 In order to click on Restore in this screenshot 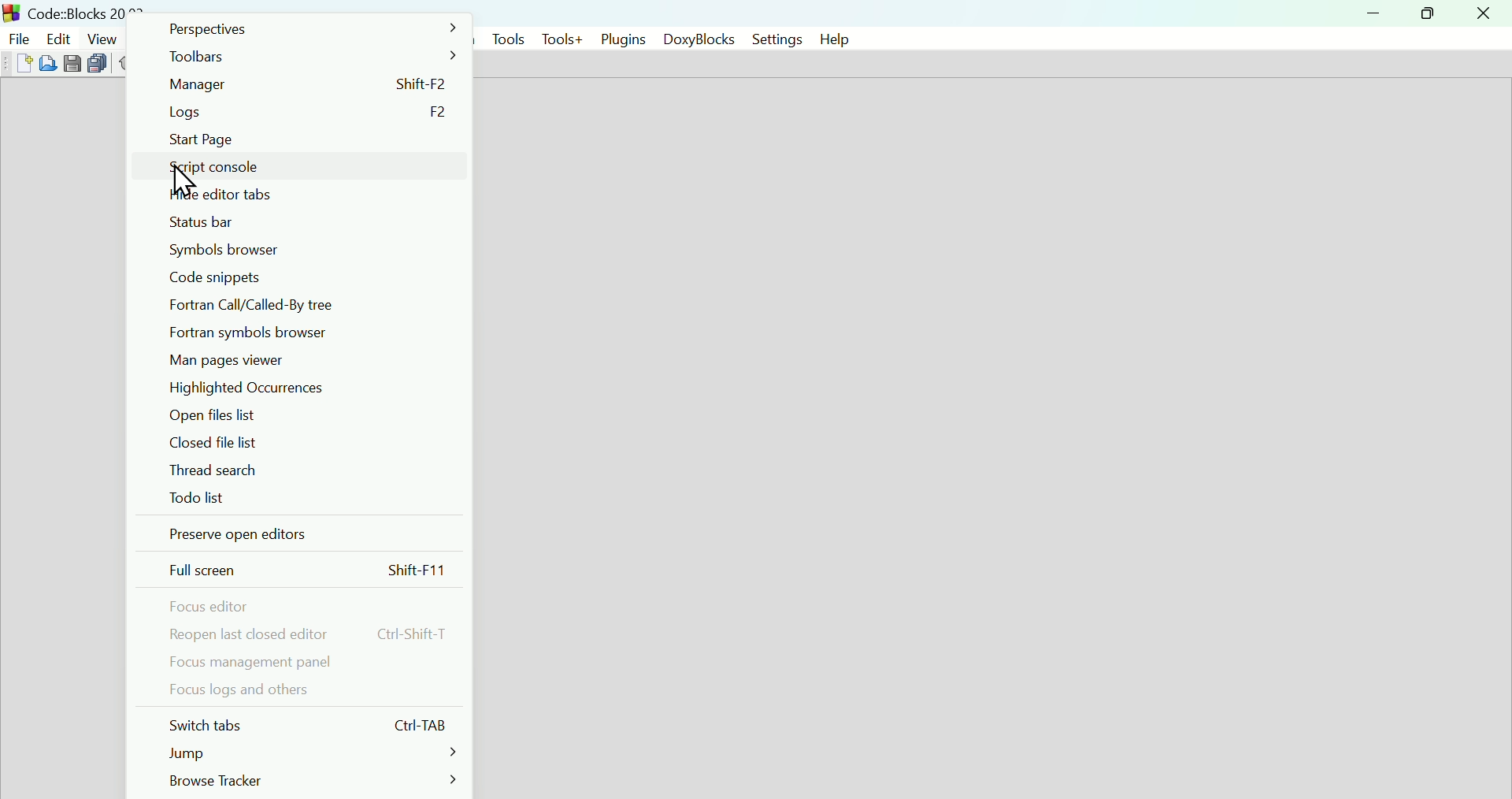, I will do `click(1423, 13)`.